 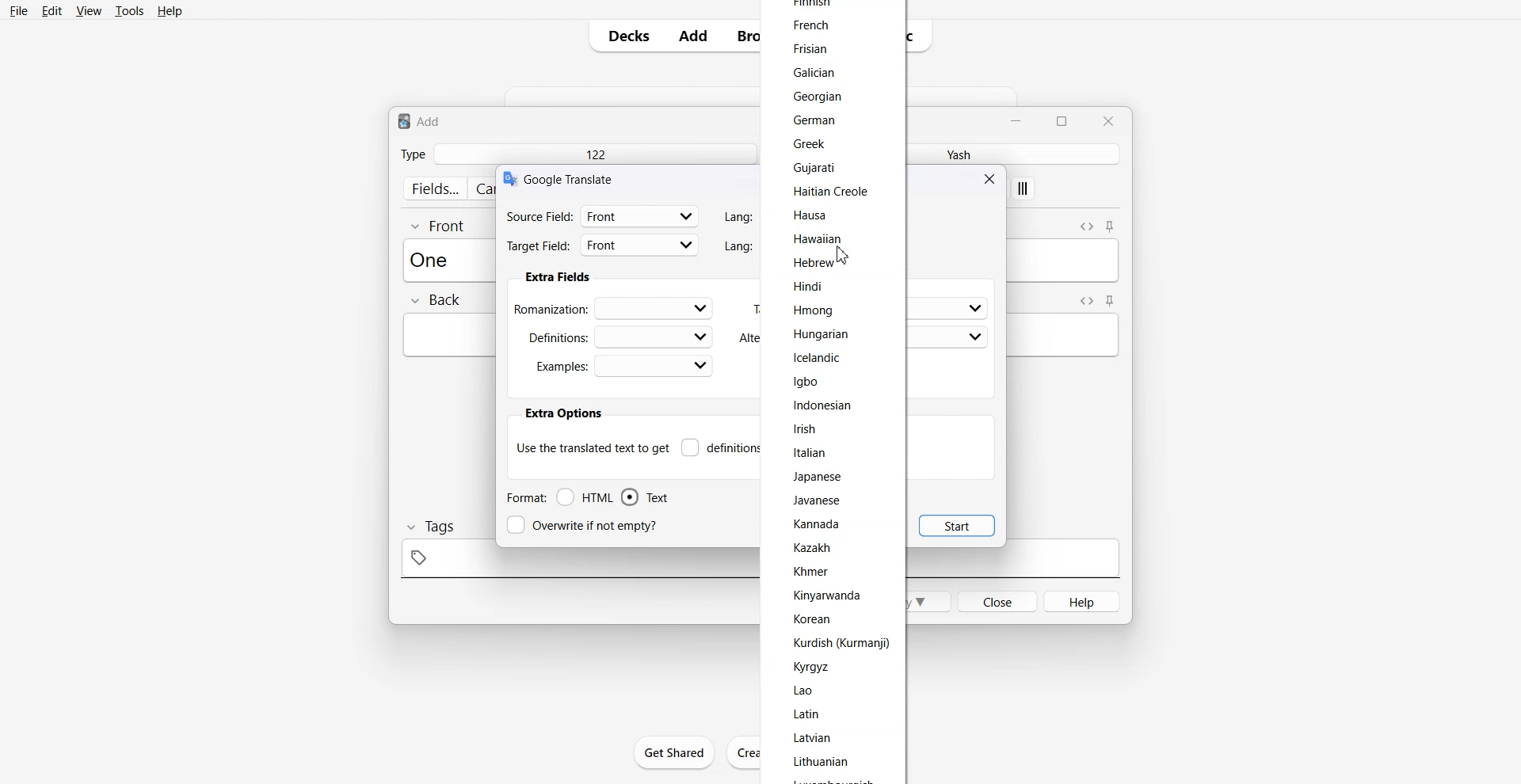 What do you see at coordinates (1024, 190) in the screenshot?
I see `apply custom style` at bounding box center [1024, 190].